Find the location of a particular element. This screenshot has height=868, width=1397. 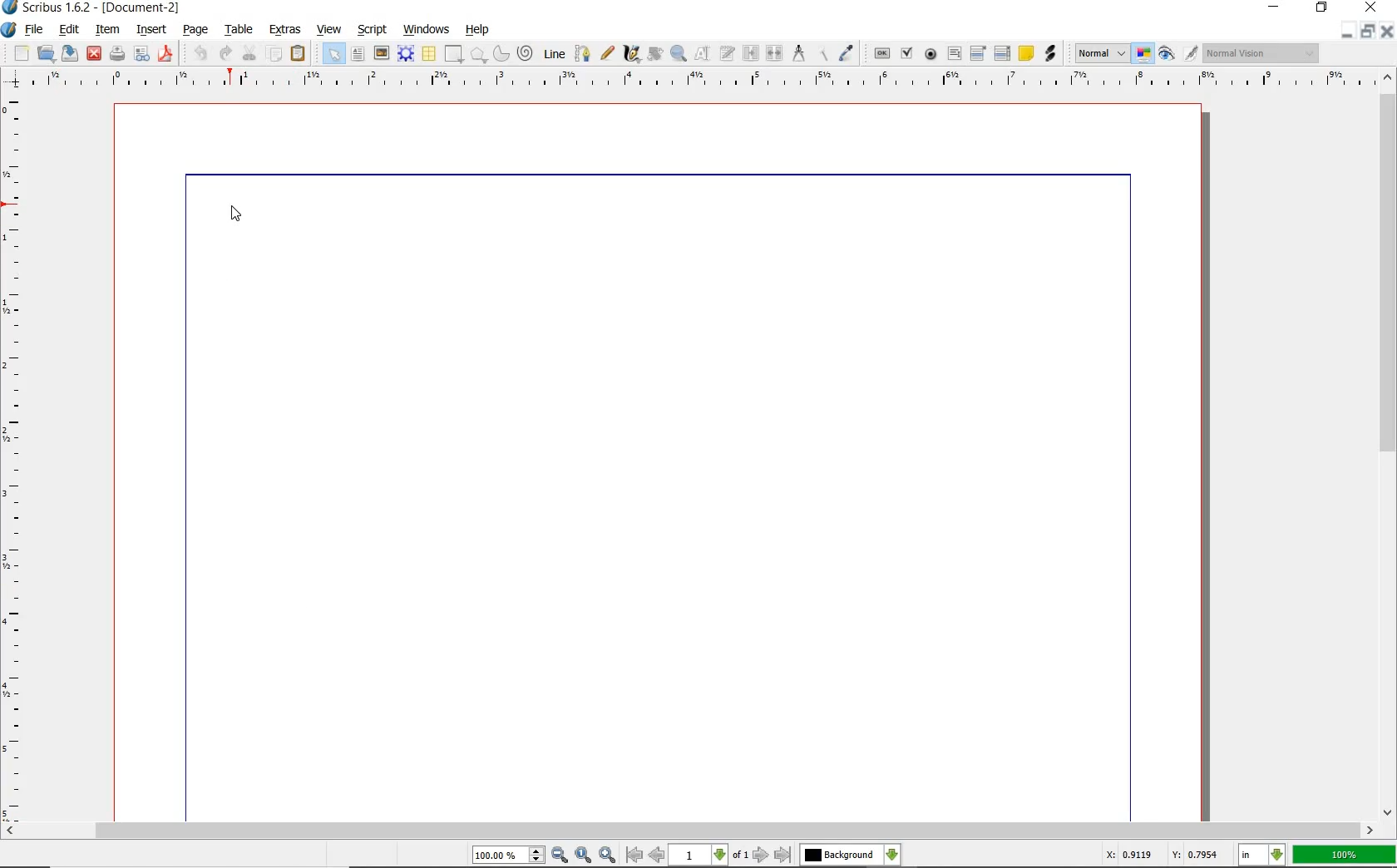

safe as pdf is located at coordinates (165, 54).